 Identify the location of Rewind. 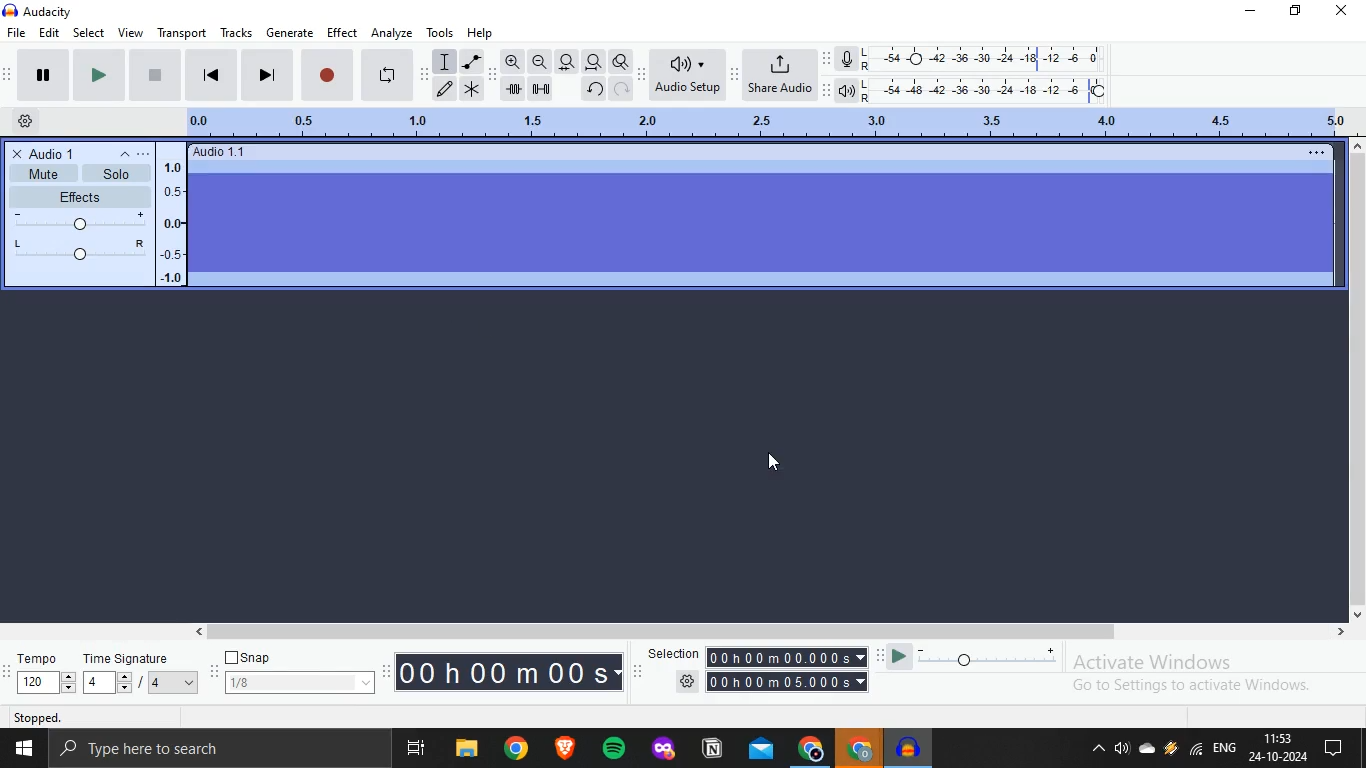
(389, 72).